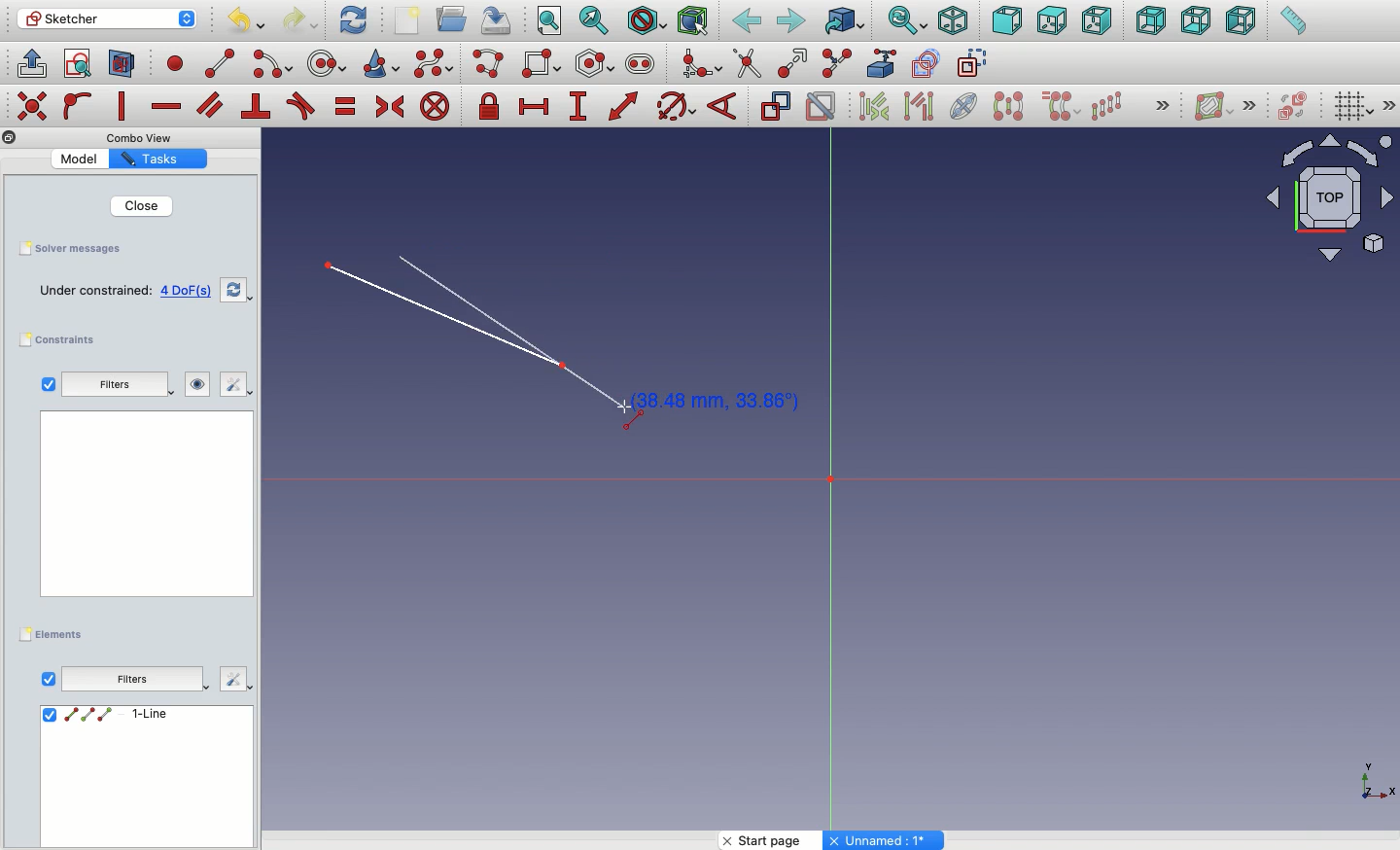 This screenshot has width=1400, height=850. Describe the element at coordinates (791, 22) in the screenshot. I see `Forward` at that location.